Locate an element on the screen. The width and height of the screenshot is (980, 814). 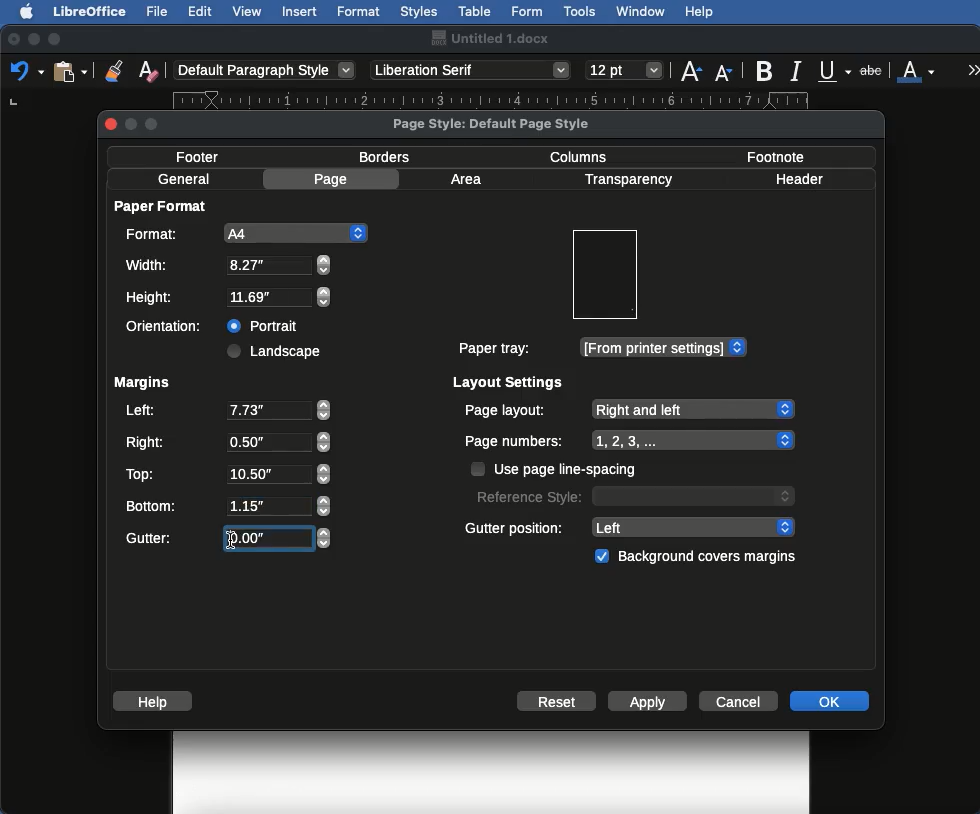
Right is located at coordinates (226, 443).